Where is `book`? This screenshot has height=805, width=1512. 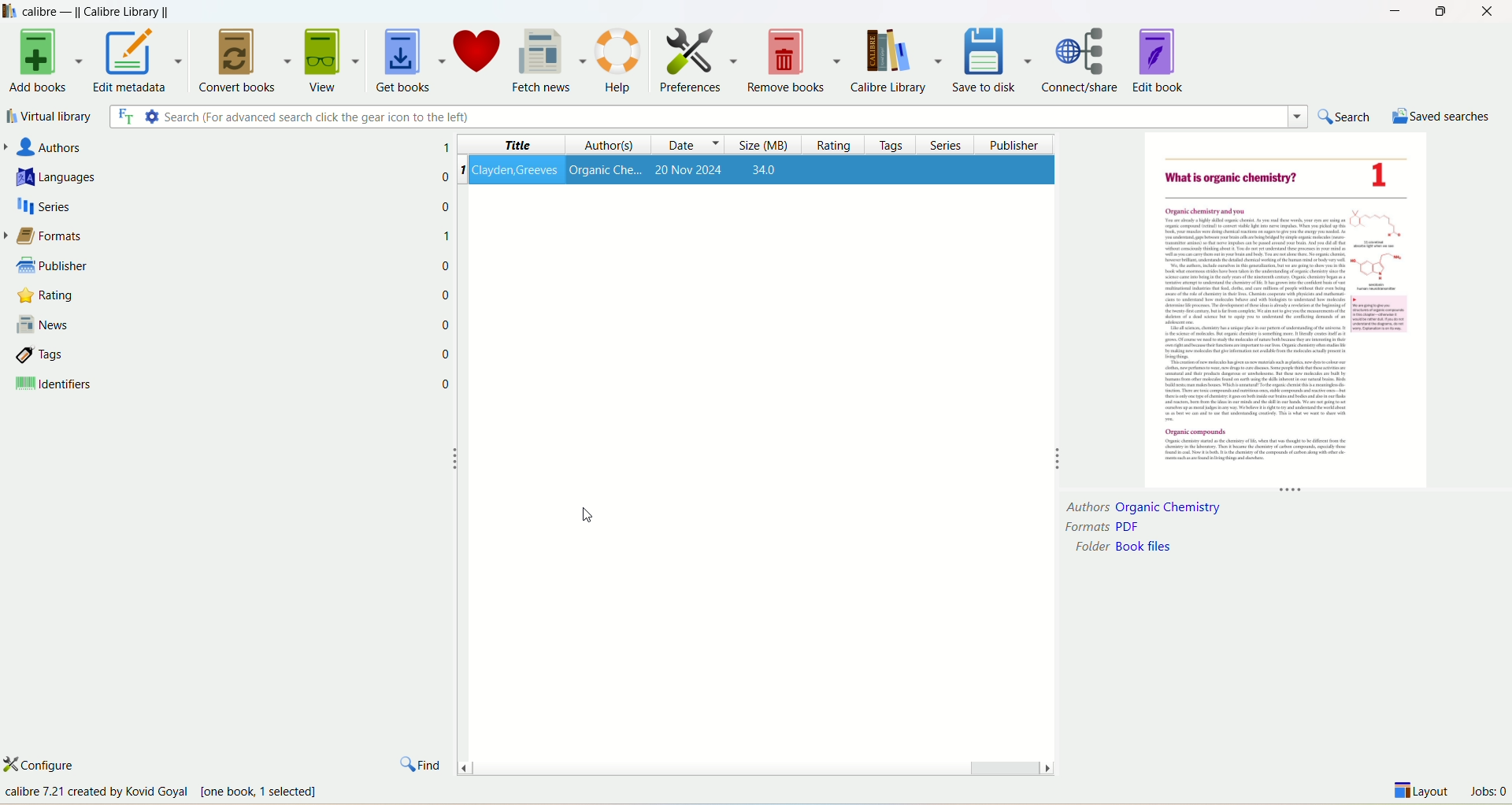
book is located at coordinates (762, 172).